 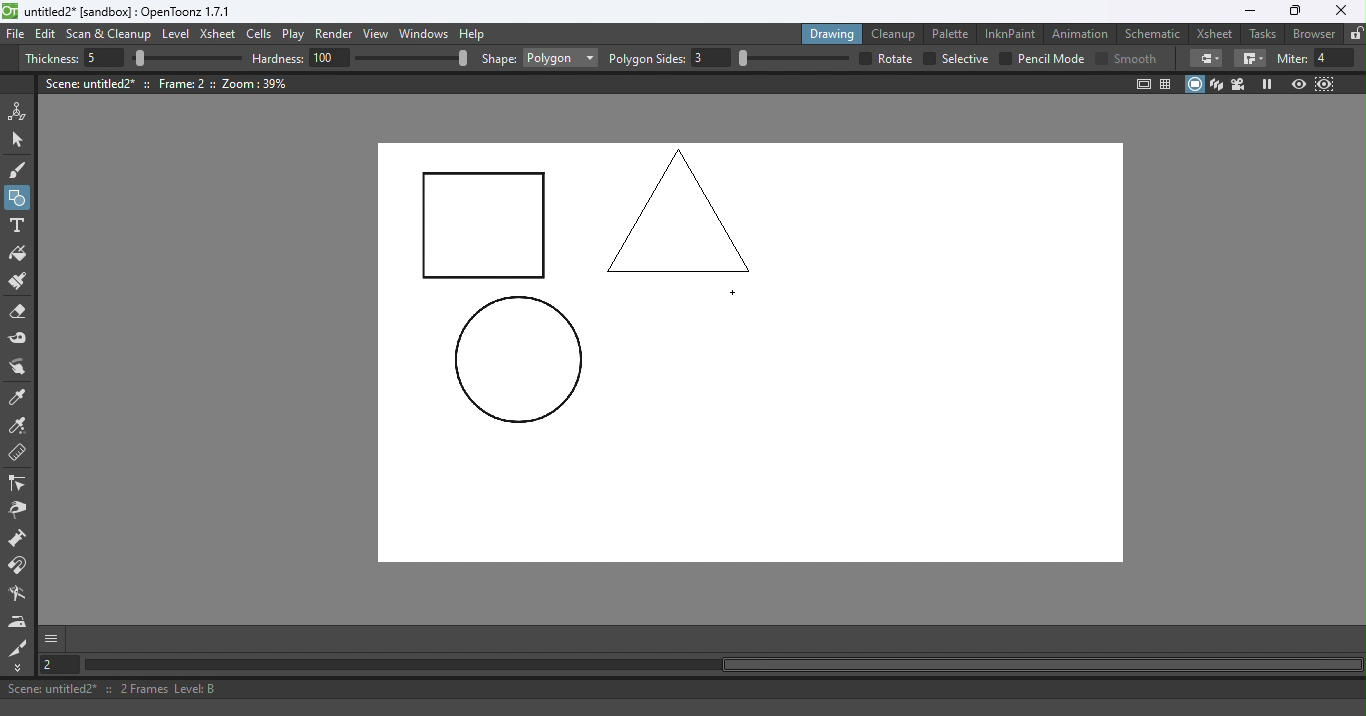 I want to click on Eraser tool, so click(x=23, y=312).